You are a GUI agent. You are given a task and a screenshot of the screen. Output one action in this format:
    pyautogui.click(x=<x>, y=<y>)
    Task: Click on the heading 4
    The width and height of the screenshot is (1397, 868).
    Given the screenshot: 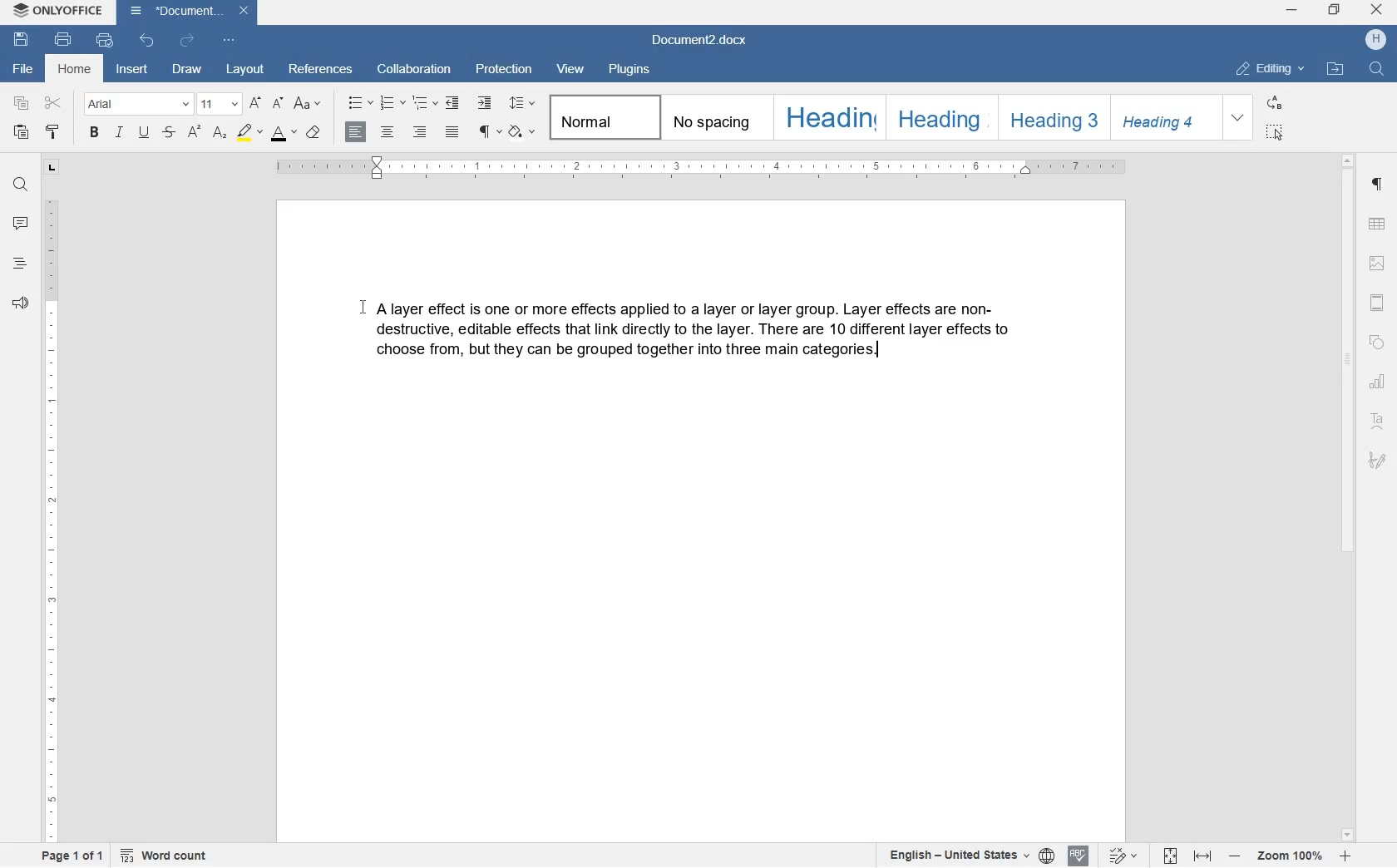 What is the action you would take?
    pyautogui.click(x=1166, y=118)
    